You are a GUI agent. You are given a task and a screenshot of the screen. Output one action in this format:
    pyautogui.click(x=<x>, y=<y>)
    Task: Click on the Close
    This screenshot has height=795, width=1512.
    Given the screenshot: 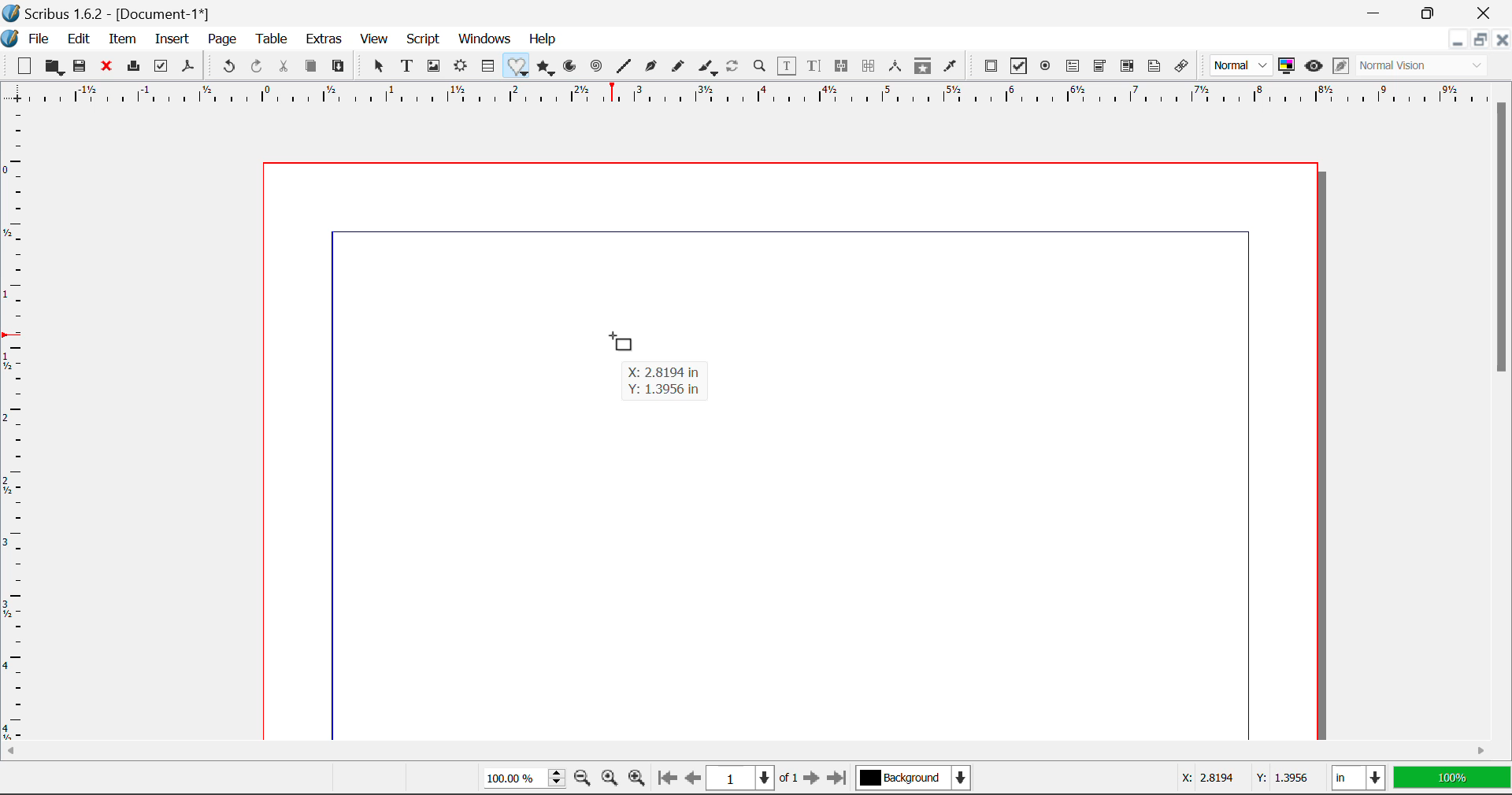 What is the action you would take?
    pyautogui.click(x=109, y=68)
    